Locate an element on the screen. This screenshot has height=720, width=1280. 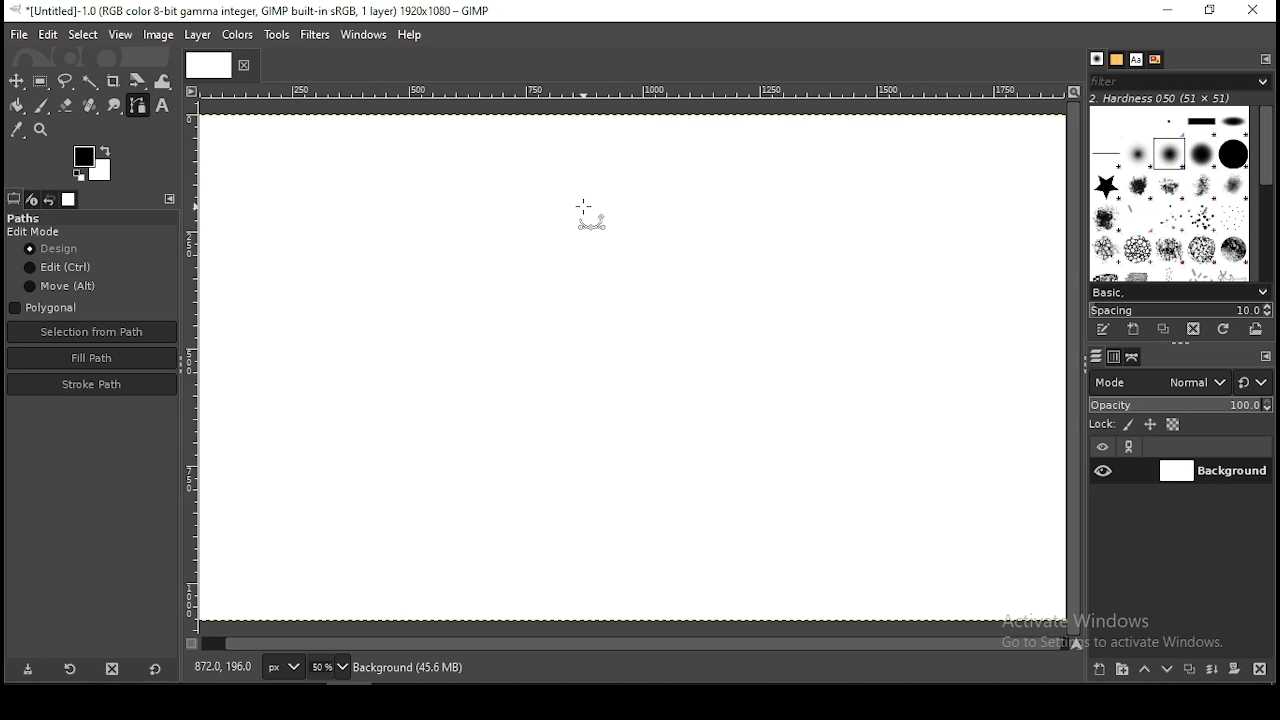
scroll bar is located at coordinates (1263, 194).